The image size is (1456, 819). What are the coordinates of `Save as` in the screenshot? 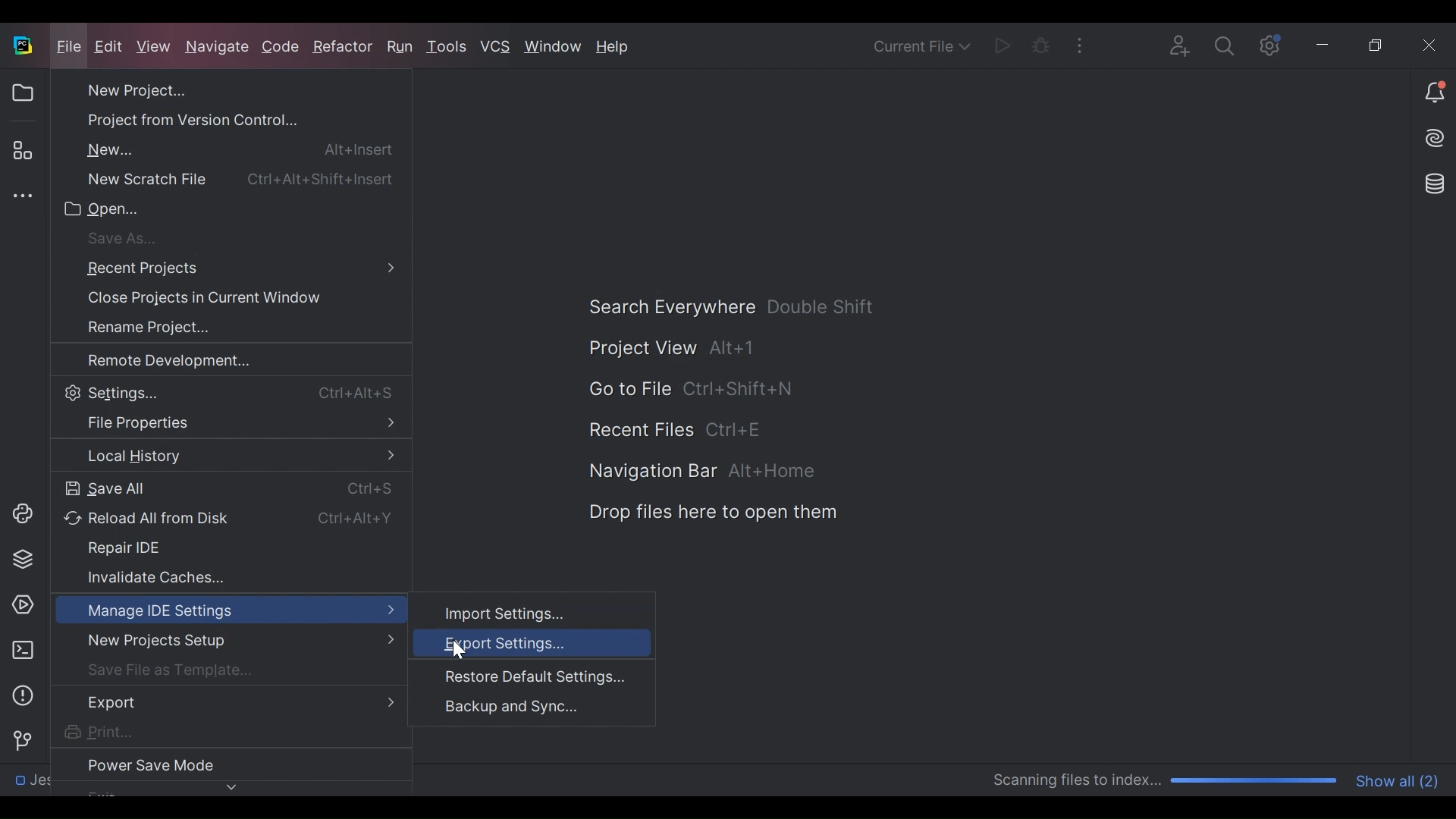 It's located at (206, 238).